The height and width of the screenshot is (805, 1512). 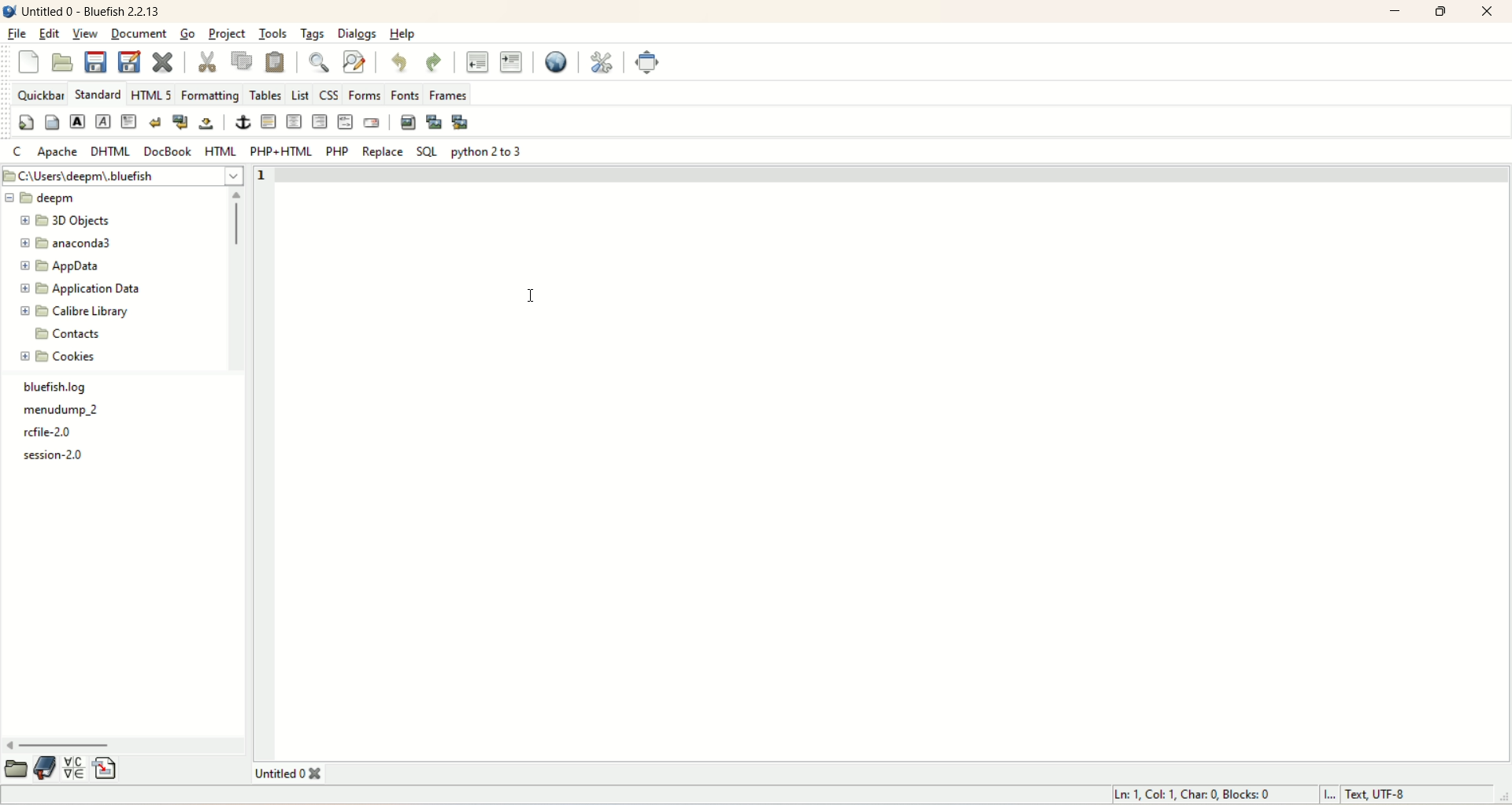 What do you see at coordinates (313, 34) in the screenshot?
I see `tags` at bounding box center [313, 34].